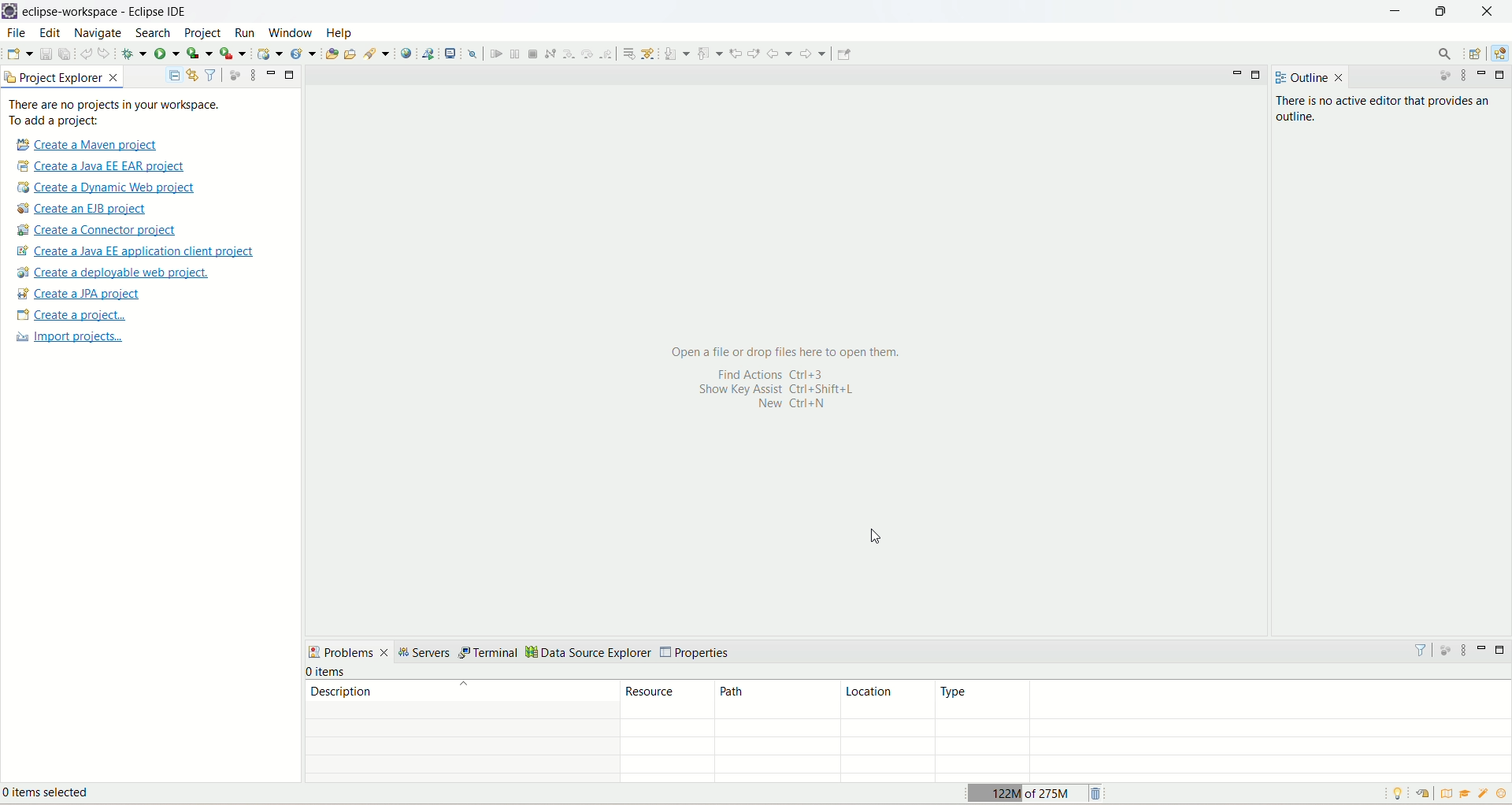 This screenshot has width=1512, height=805. What do you see at coordinates (461, 691) in the screenshot?
I see `description` at bounding box center [461, 691].